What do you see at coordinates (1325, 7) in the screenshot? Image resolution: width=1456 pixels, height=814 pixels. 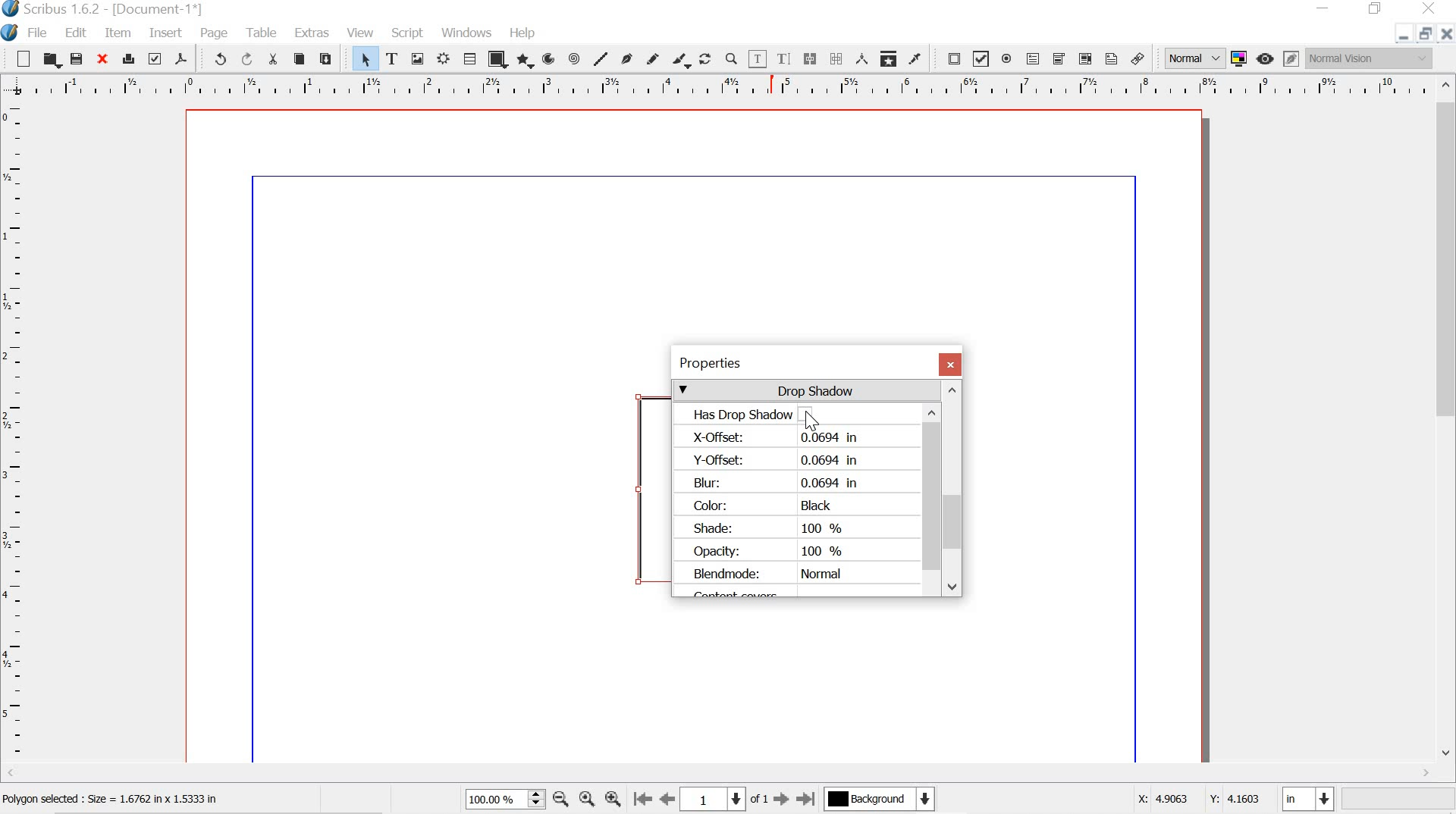 I see `MINIMIZE` at bounding box center [1325, 7].